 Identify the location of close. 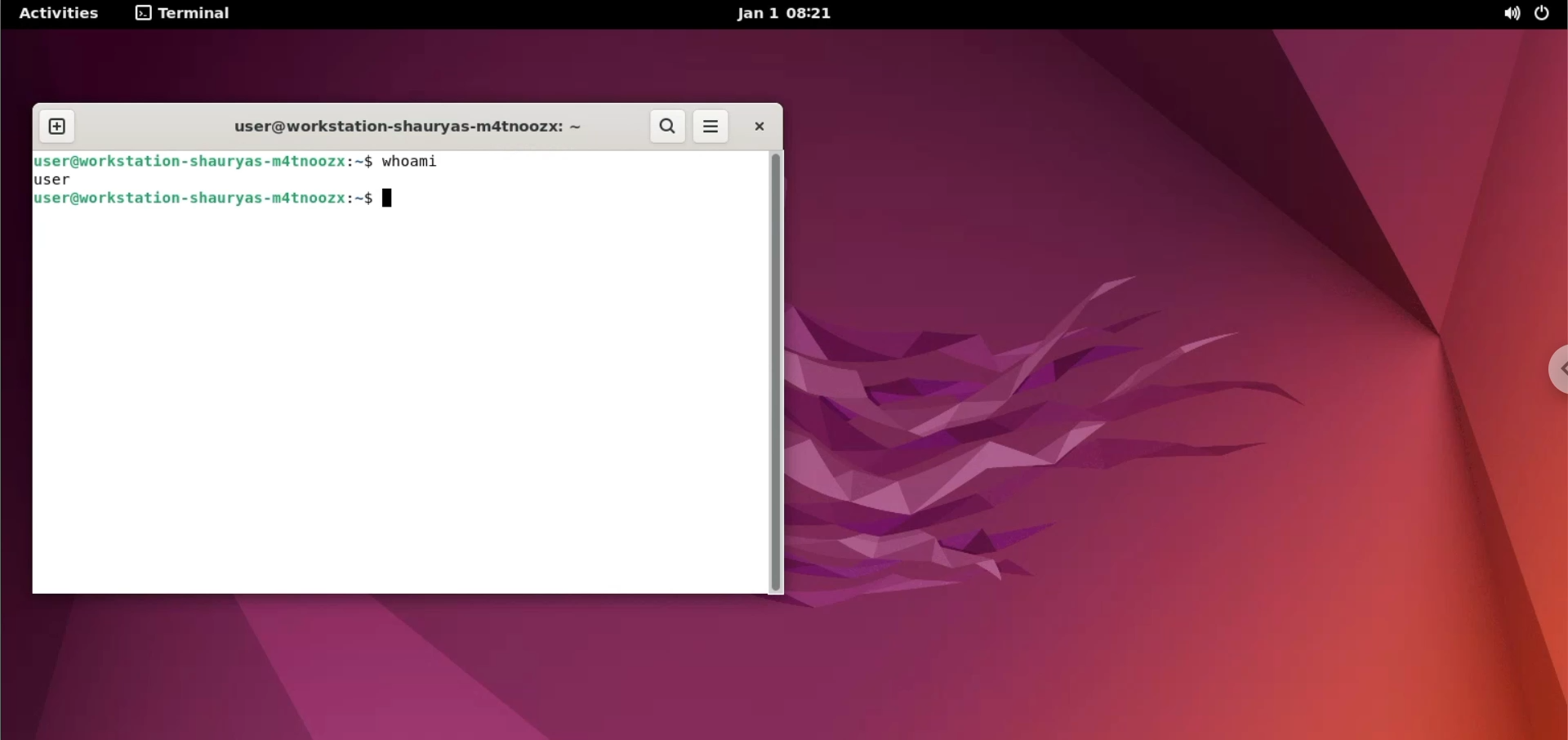
(752, 126).